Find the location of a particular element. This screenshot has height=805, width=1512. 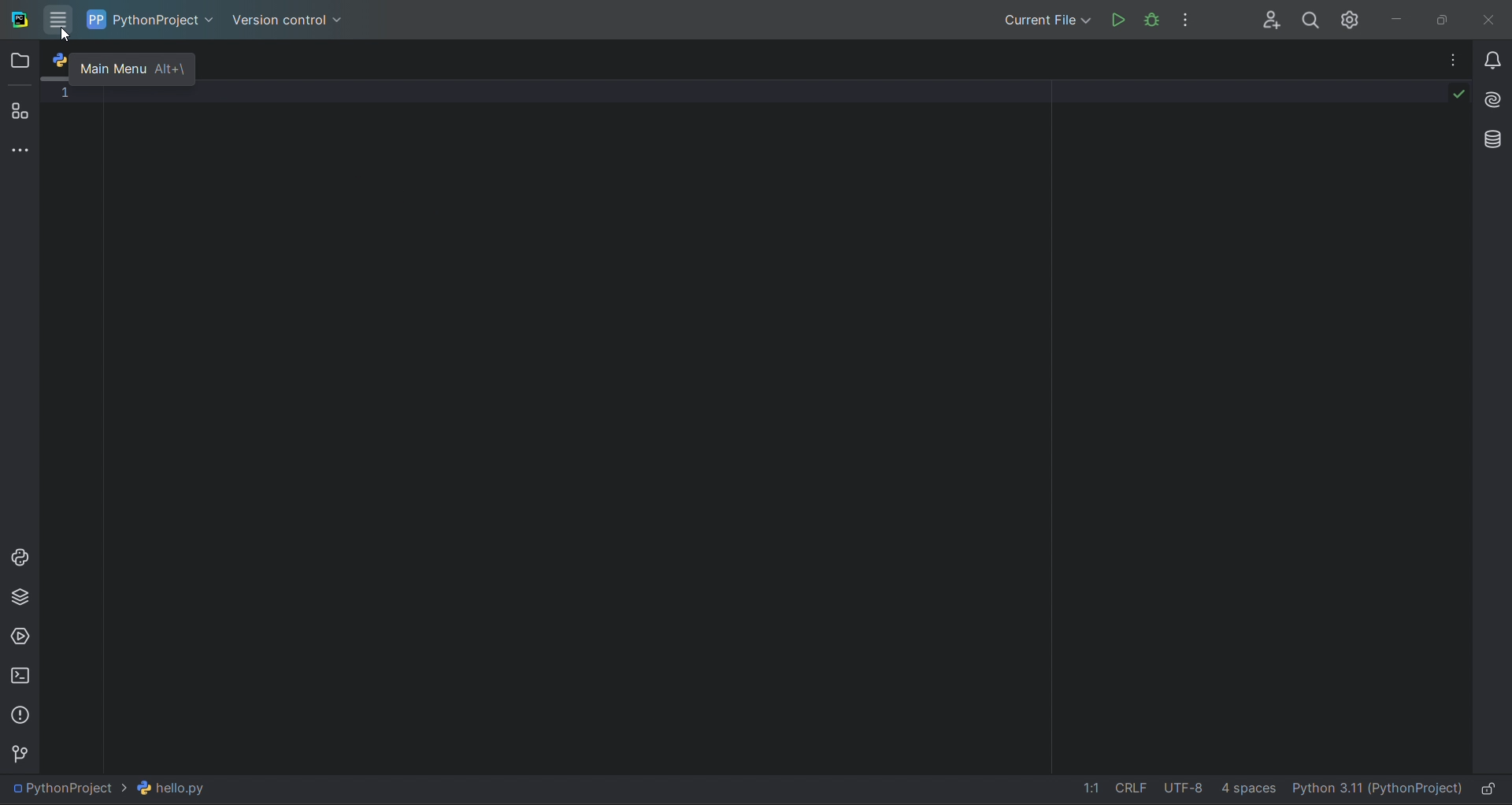

code editor is located at coordinates (759, 425).